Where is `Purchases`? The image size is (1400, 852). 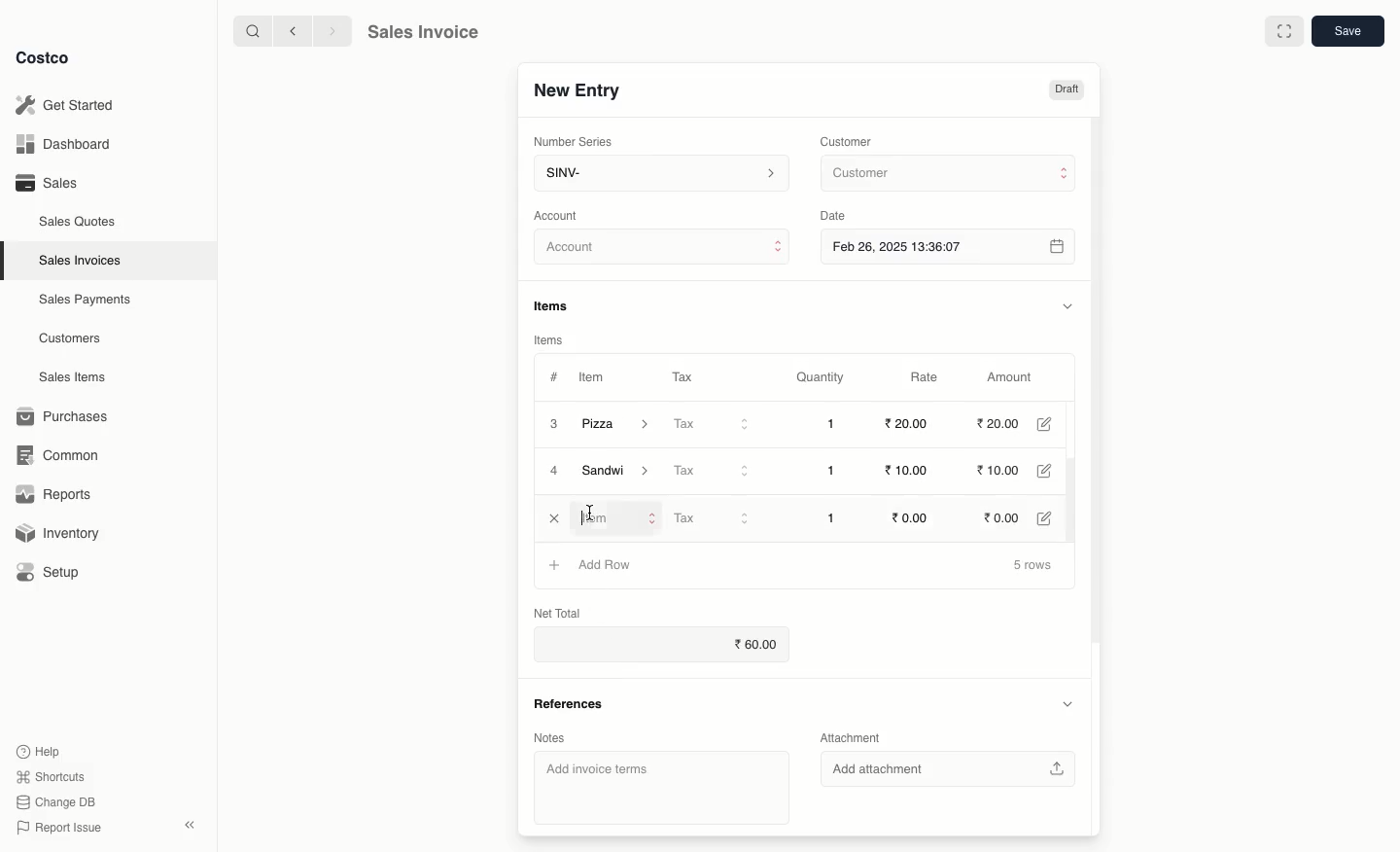 Purchases is located at coordinates (67, 416).